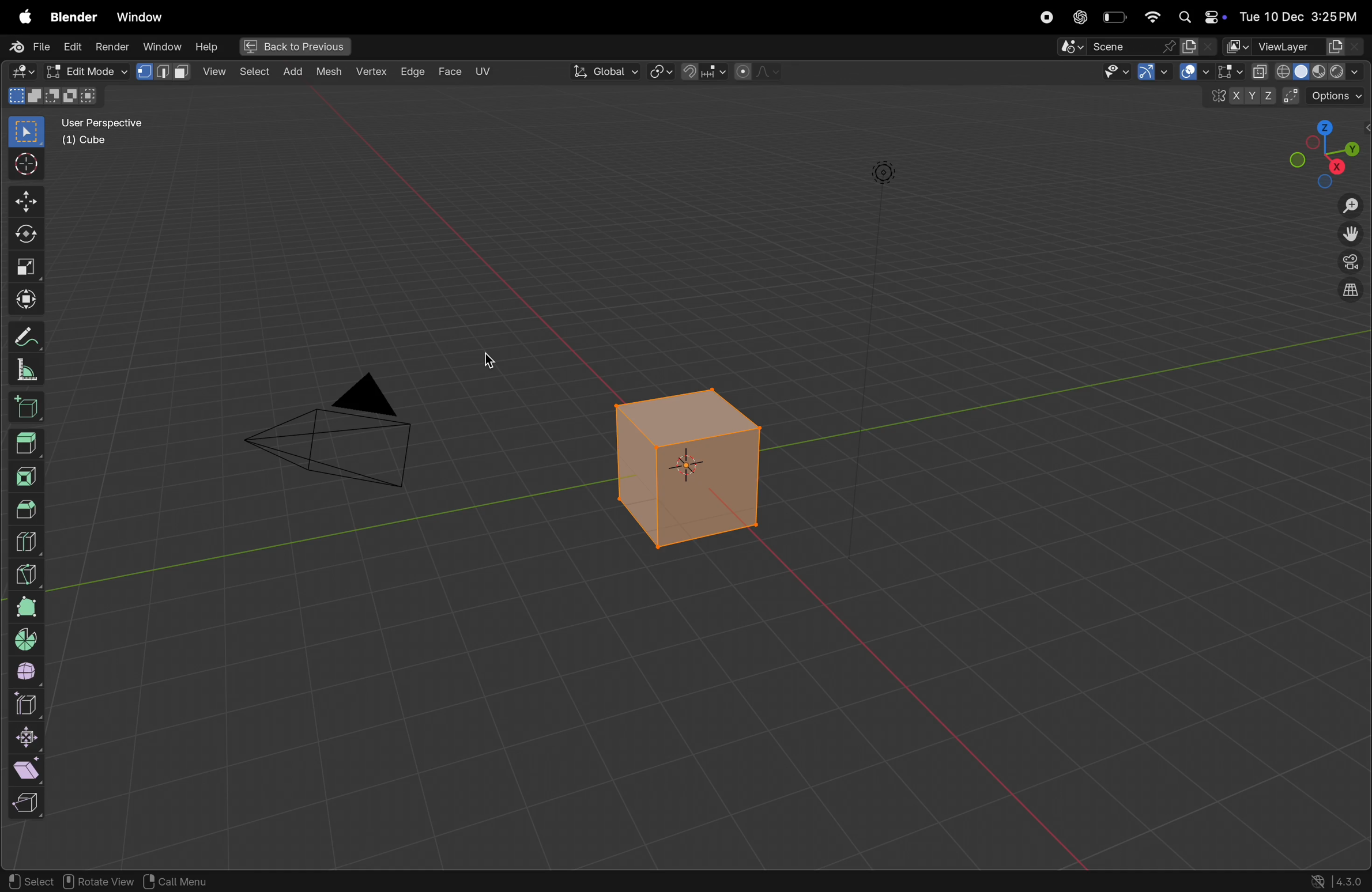 The width and height of the screenshot is (1372, 892). Describe the element at coordinates (216, 71) in the screenshot. I see `select` at that location.